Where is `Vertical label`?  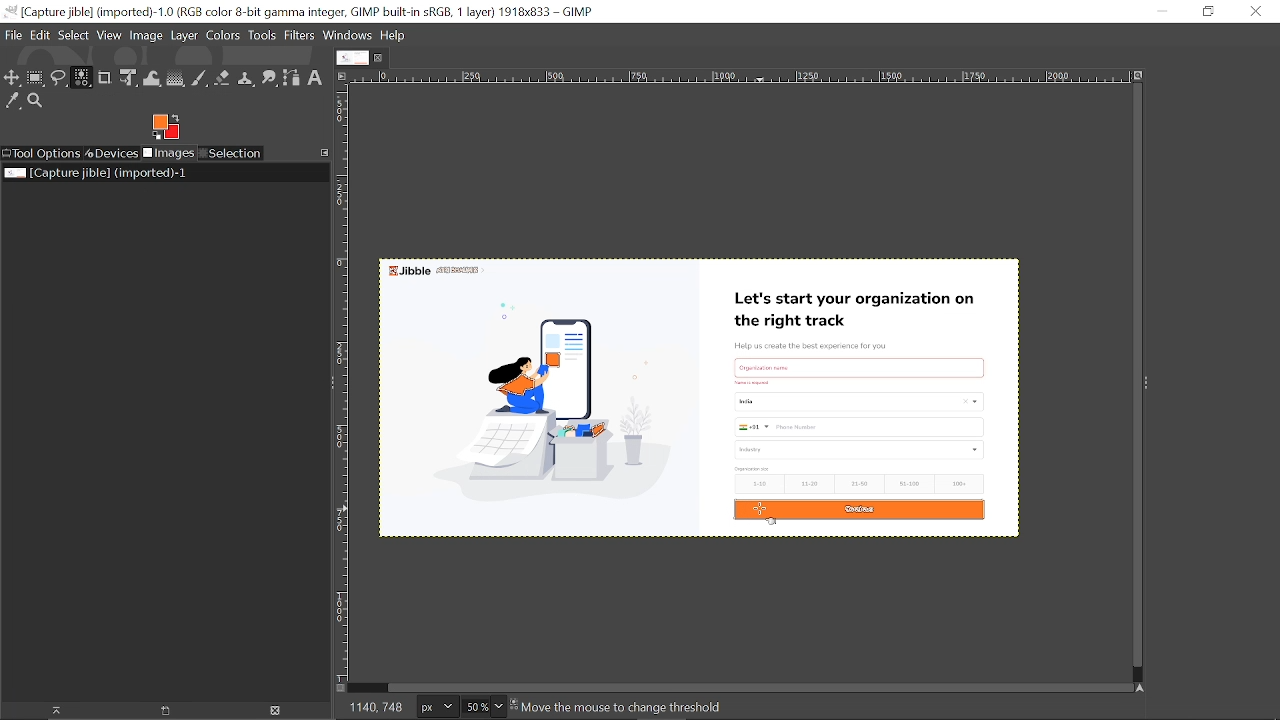 Vertical label is located at coordinates (346, 384).